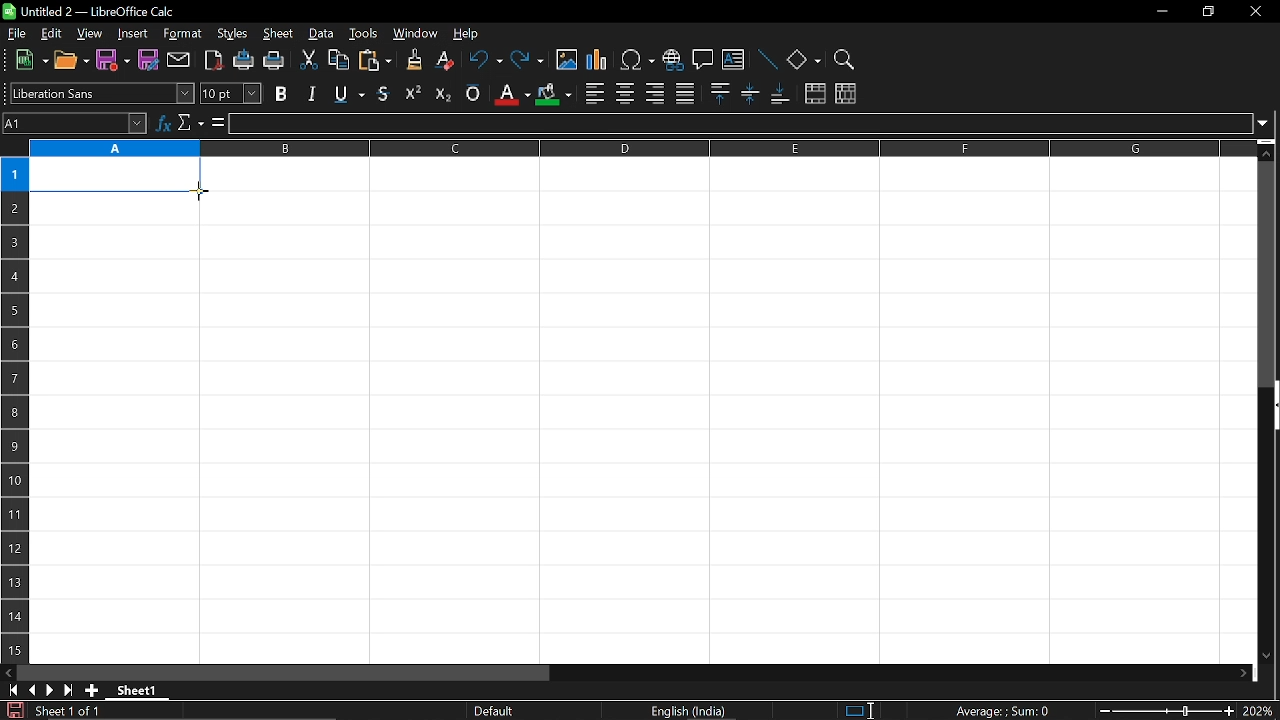 The height and width of the screenshot is (720, 1280). What do you see at coordinates (739, 124) in the screenshot?
I see `input line` at bounding box center [739, 124].